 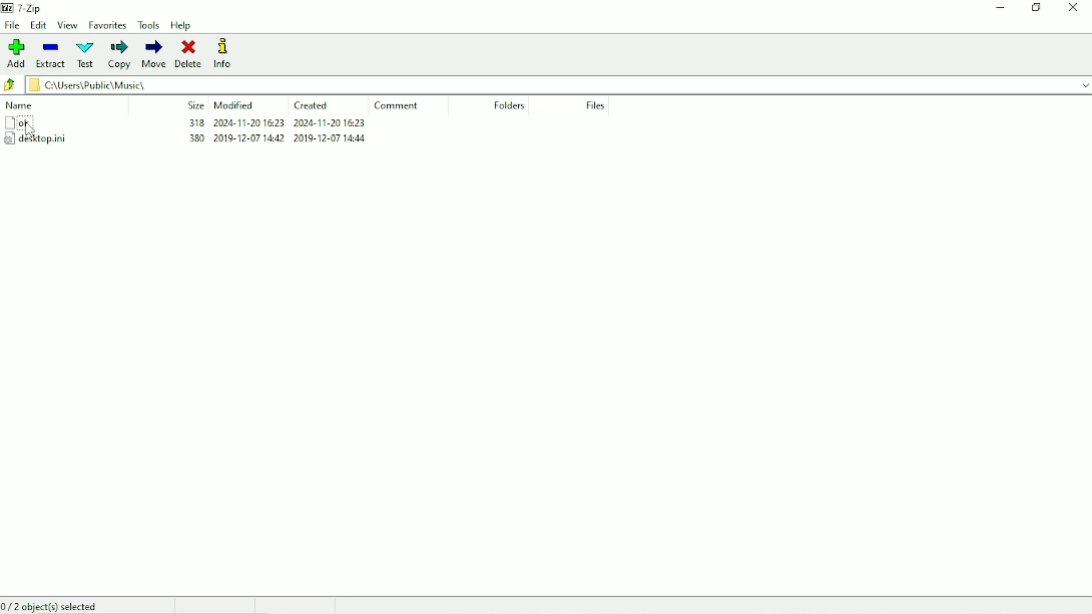 I want to click on File, so click(x=12, y=27).